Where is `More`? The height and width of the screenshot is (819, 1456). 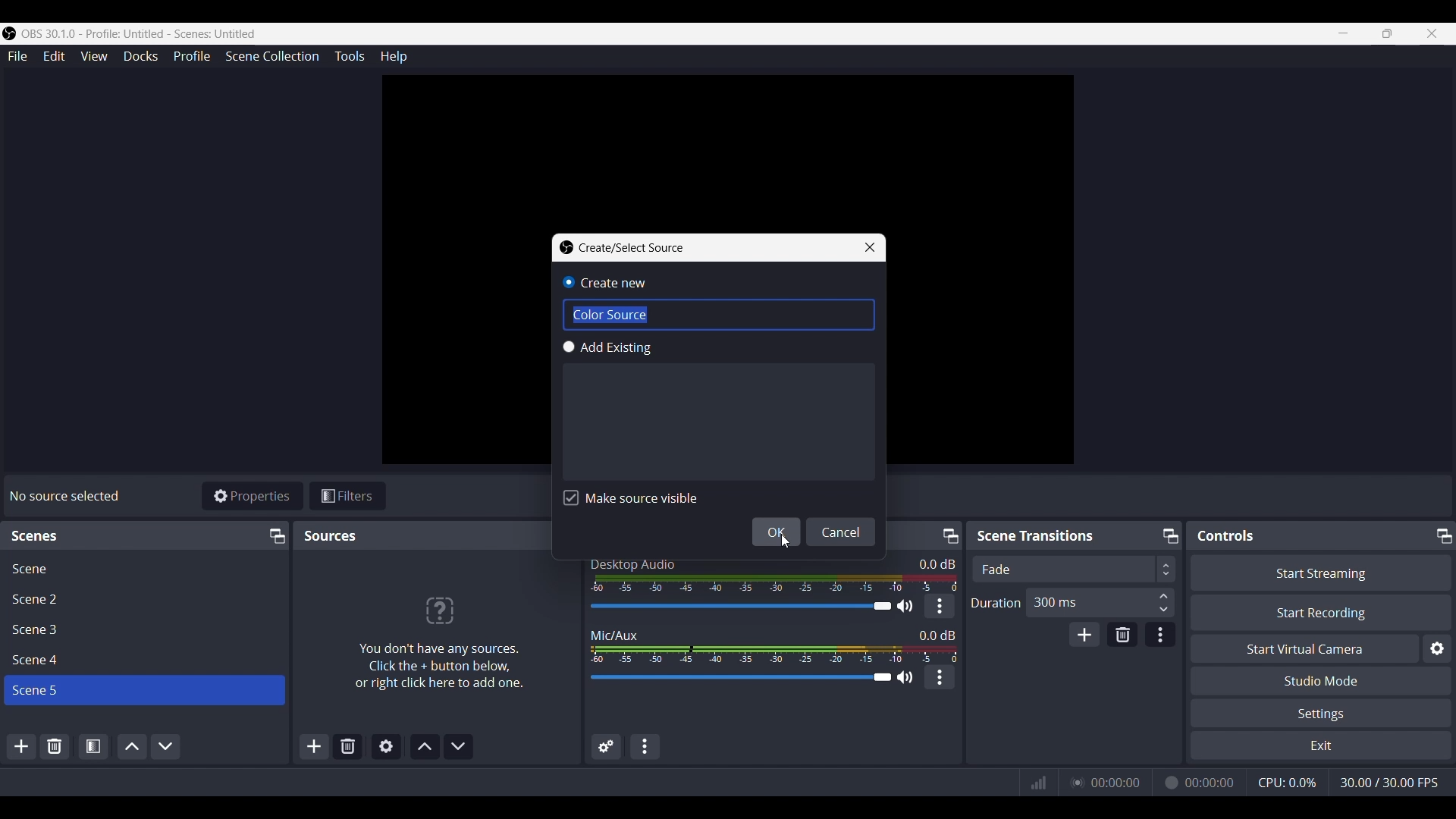 More is located at coordinates (940, 605).